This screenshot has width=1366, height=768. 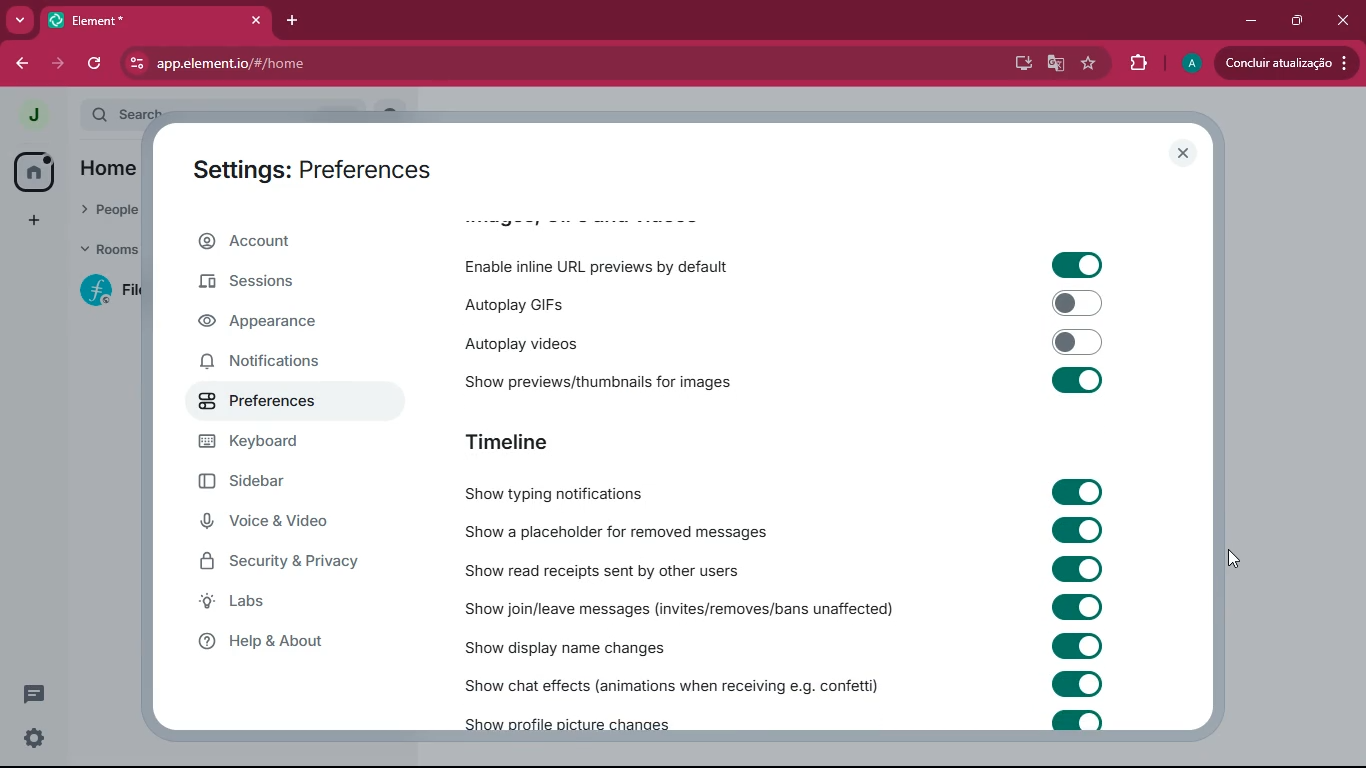 I want to click on favourite, so click(x=1091, y=67).